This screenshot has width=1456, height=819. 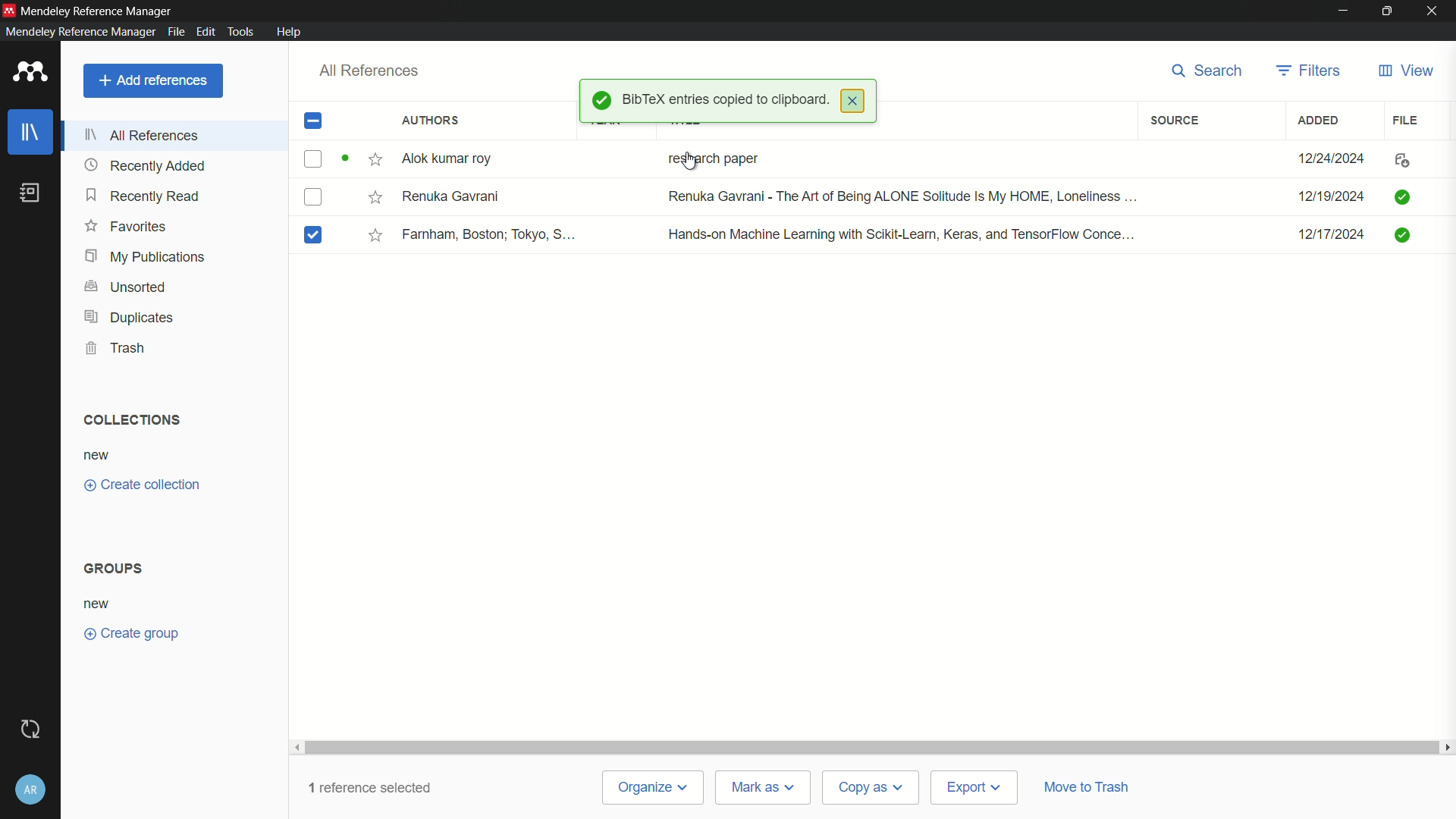 What do you see at coordinates (117, 347) in the screenshot?
I see `trash` at bounding box center [117, 347].